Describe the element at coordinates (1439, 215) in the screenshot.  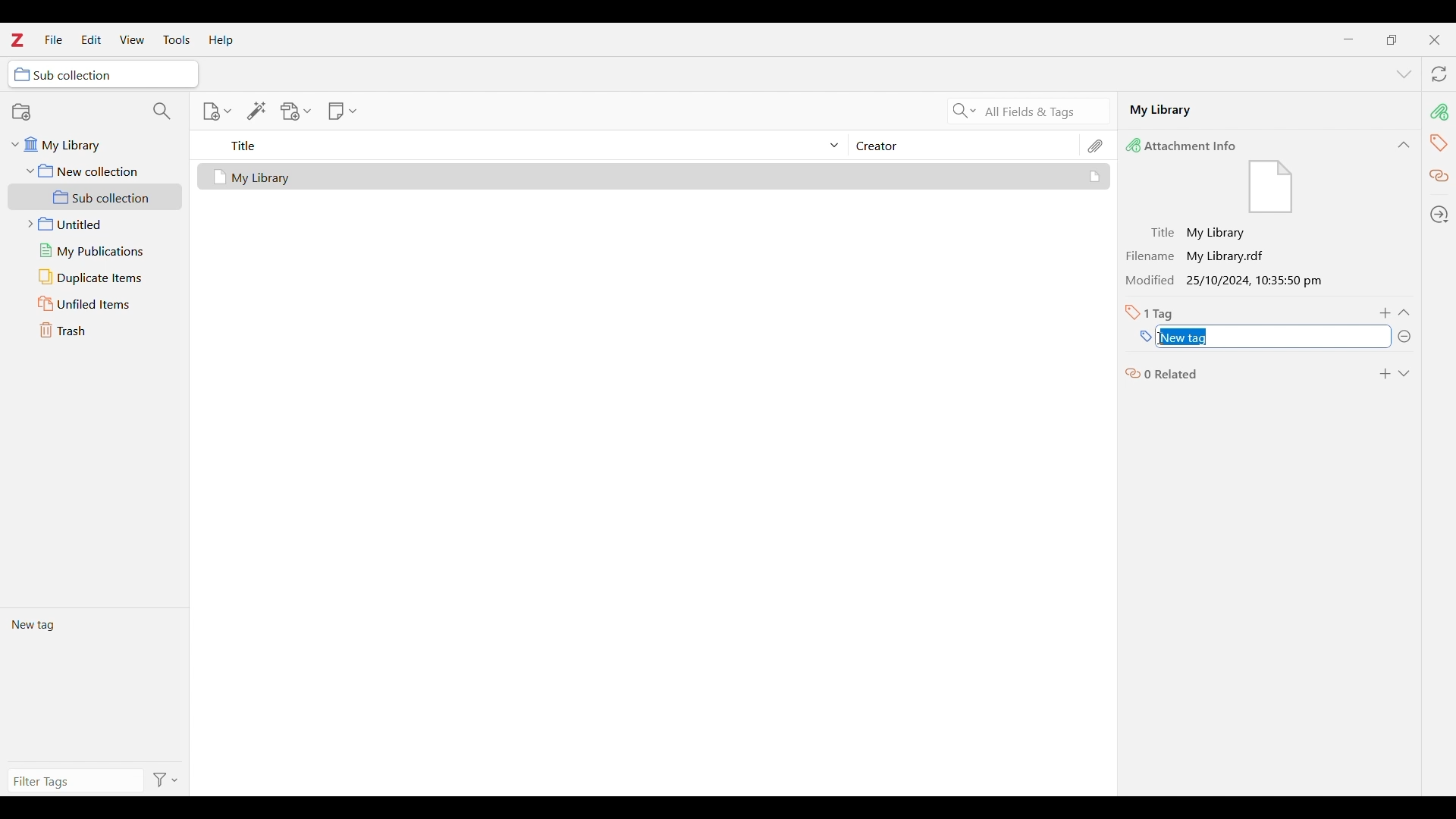
I see `Locate` at that location.